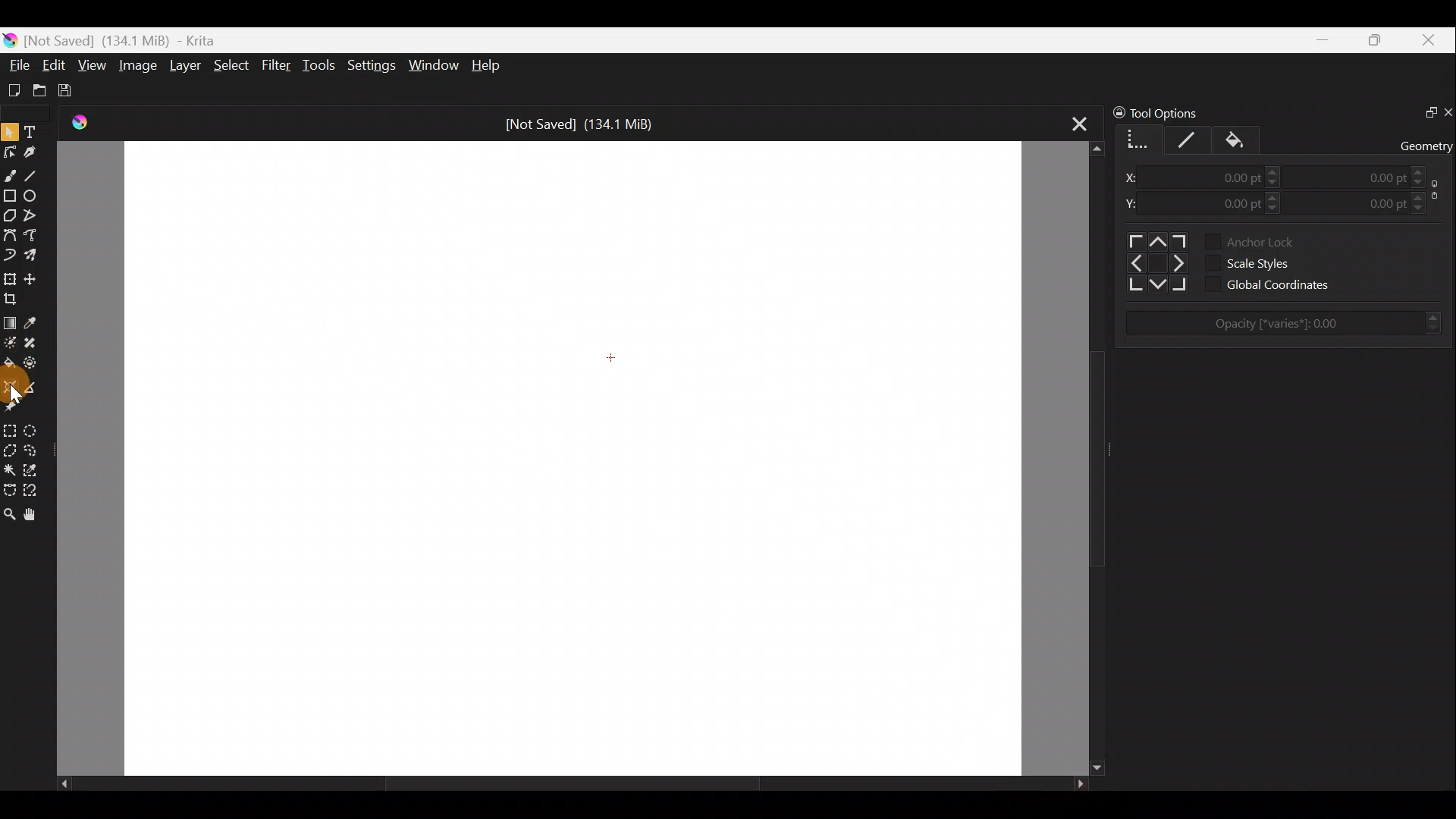 The height and width of the screenshot is (819, 1456). What do you see at coordinates (1241, 137) in the screenshot?
I see `Fill` at bounding box center [1241, 137].